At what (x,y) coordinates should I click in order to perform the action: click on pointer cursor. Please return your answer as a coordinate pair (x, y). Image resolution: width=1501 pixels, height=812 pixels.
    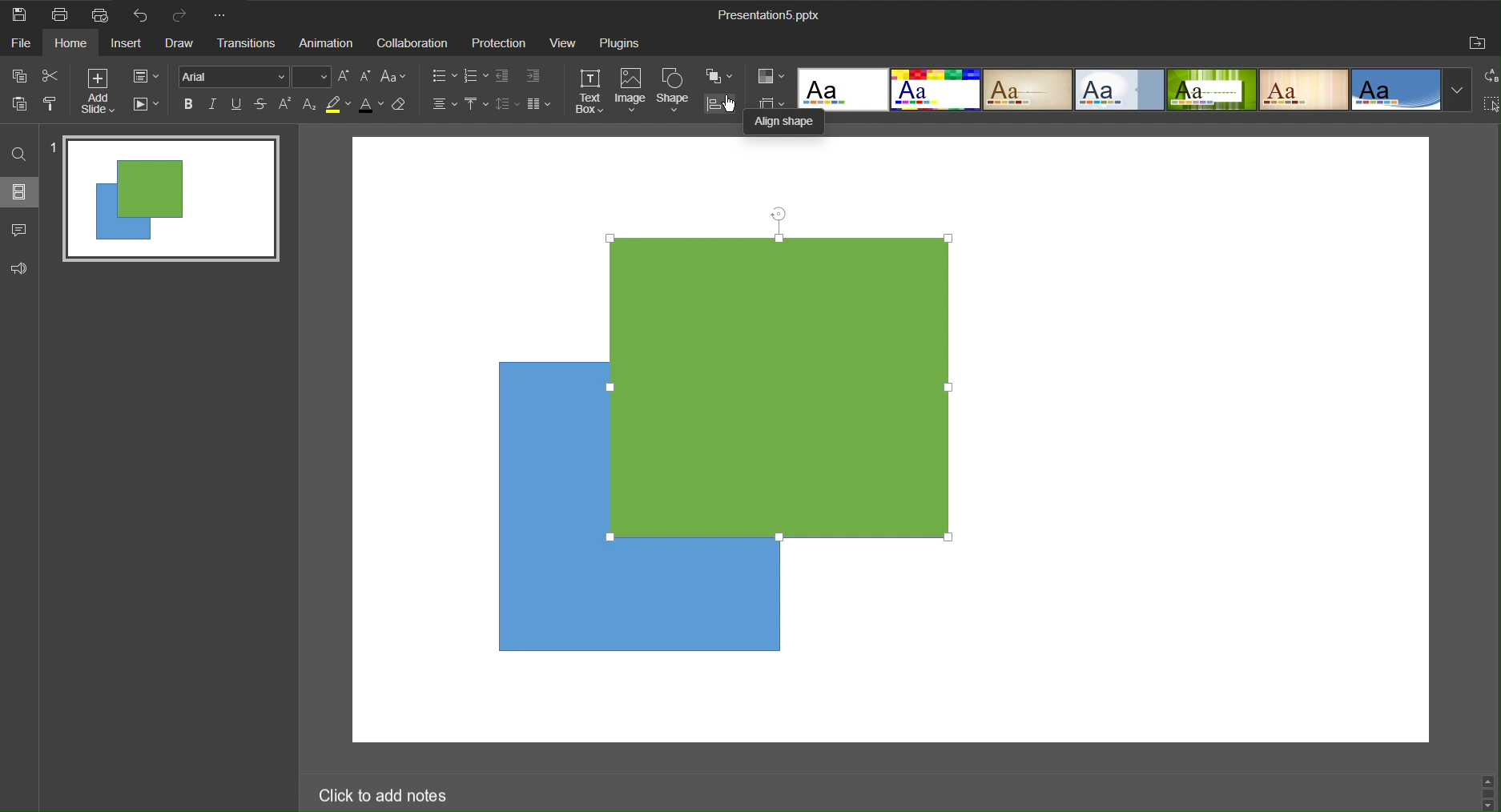
    Looking at the image, I should click on (725, 106).